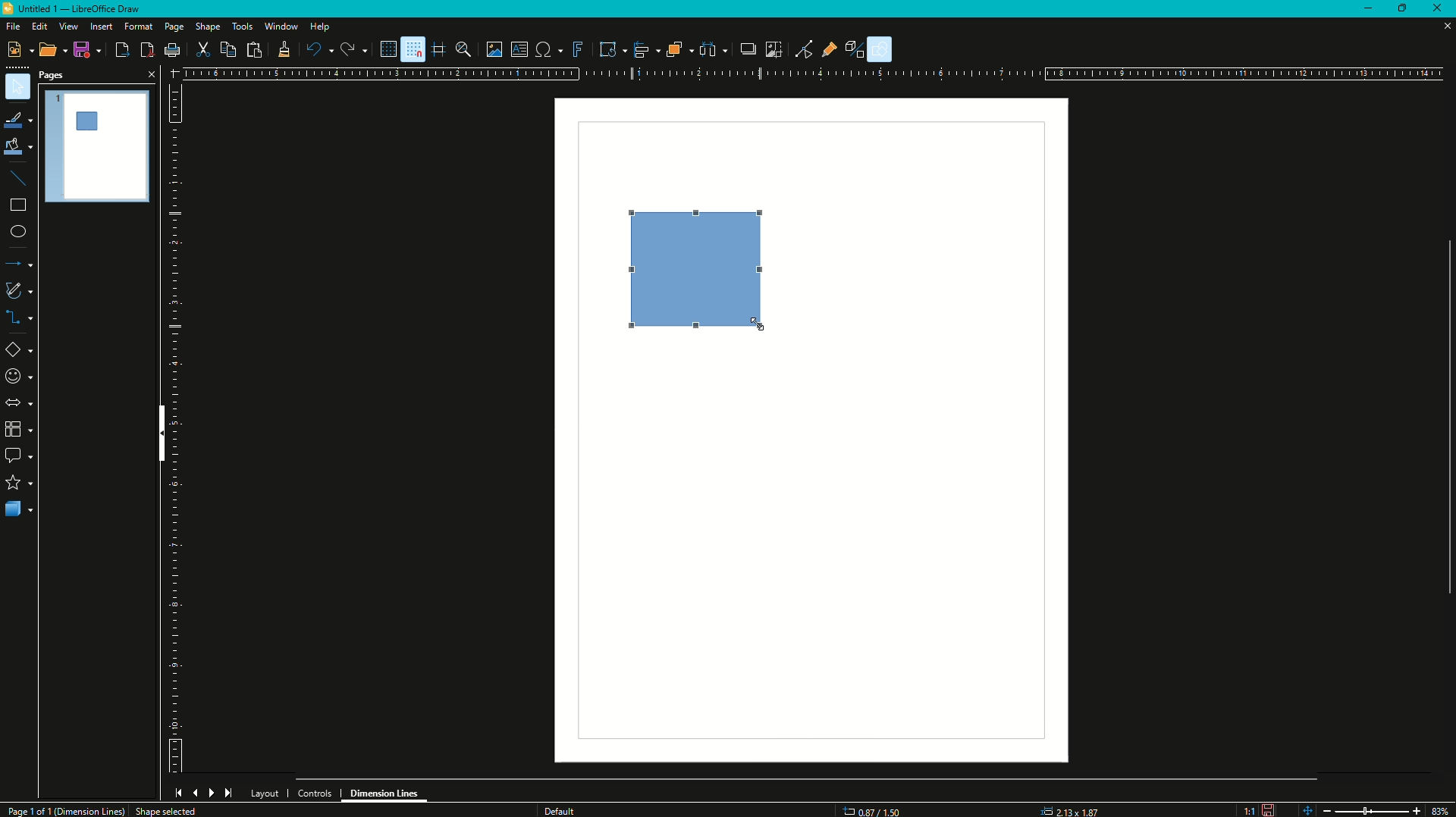 The width and height of the screenshot is (1456, 817). What do you see at coordinates (284, 50) in the screenshot?
I see `Clone Formatting` at bounding box center [284, 50].